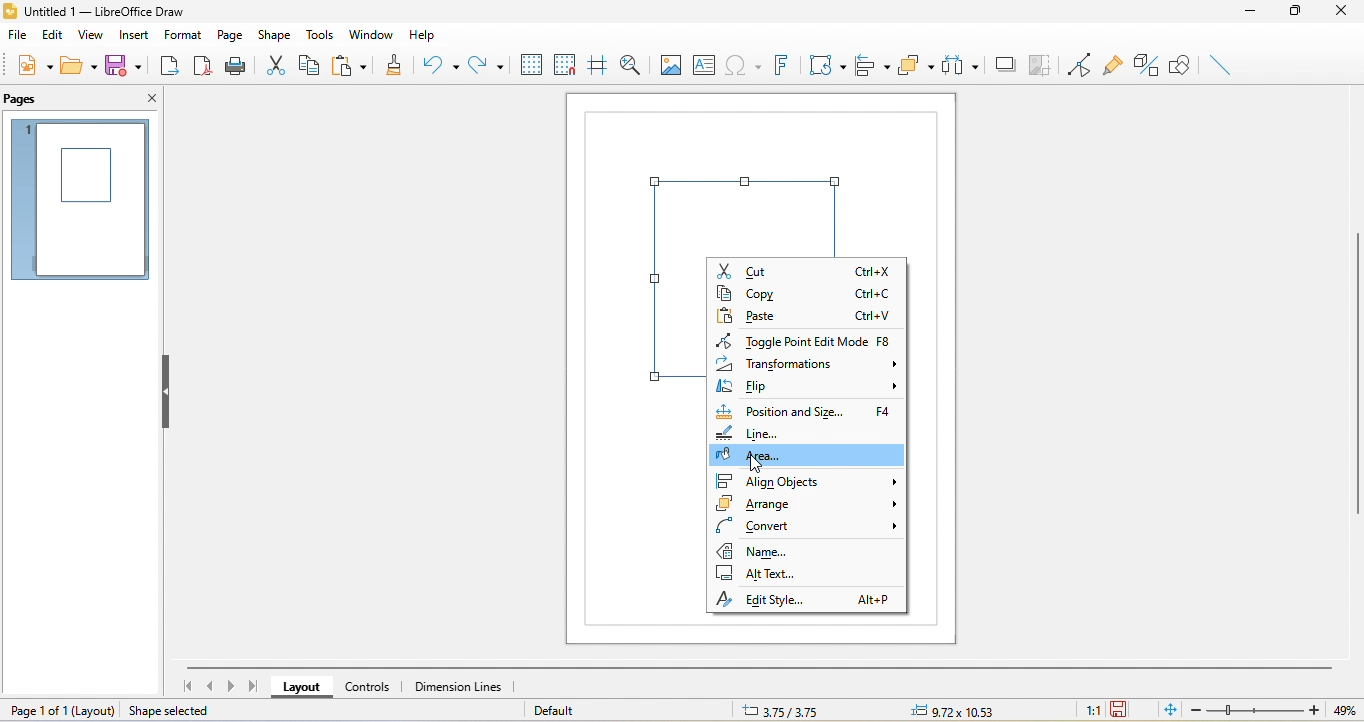 This screenshot has height=722, width=1364. I want to click on page 1, so click(82, 199).